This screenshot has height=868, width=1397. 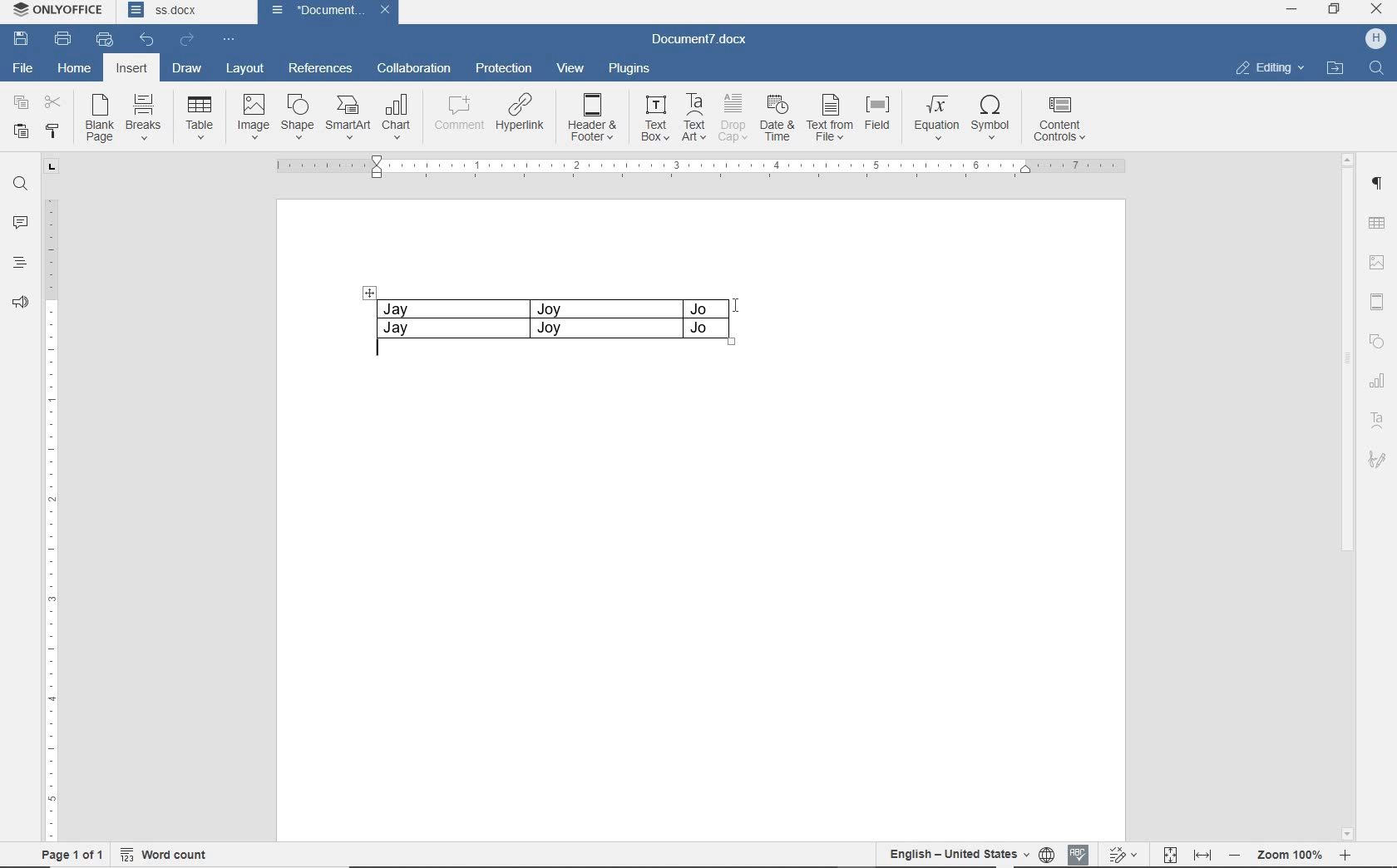 What do you see at coordinates (20, 222) in the screenshot?
I see `COMMENTS` at bounding box center [20, 222].